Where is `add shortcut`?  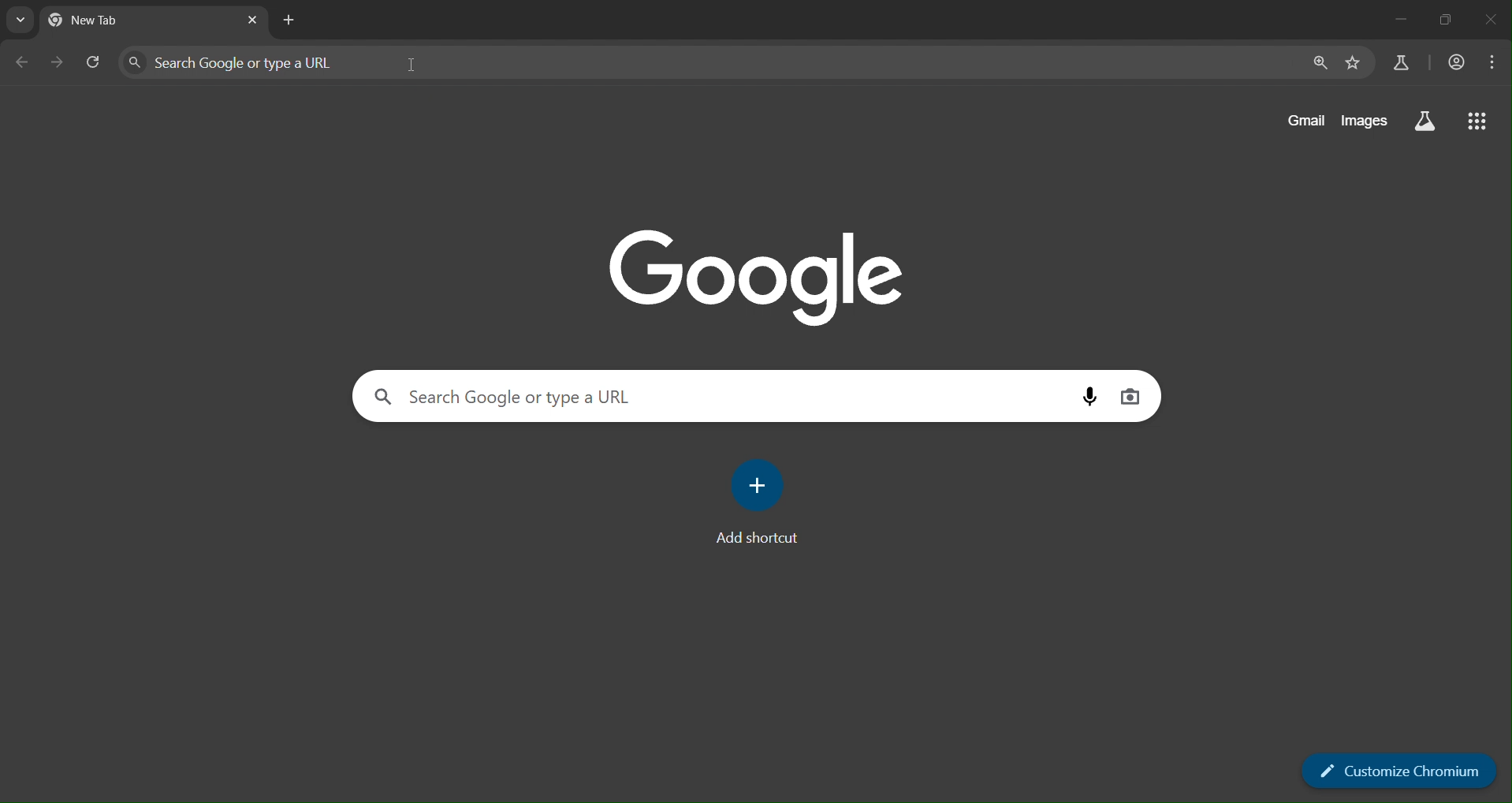 add shortcut is located at coordinates (765, 499).